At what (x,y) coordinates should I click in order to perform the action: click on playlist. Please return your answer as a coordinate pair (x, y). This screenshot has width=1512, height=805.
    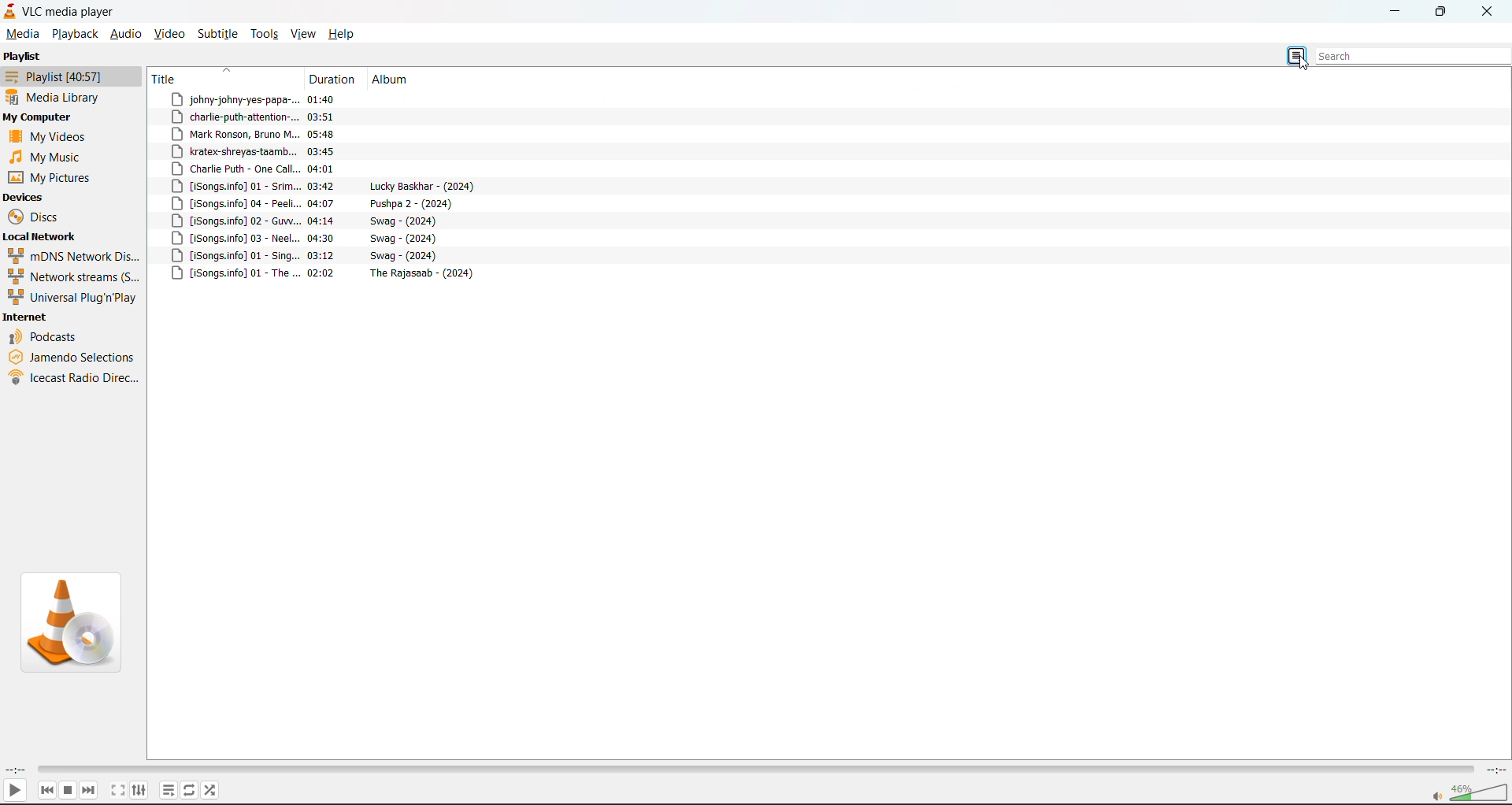
    Looking at the image, I should click on (22, 56).